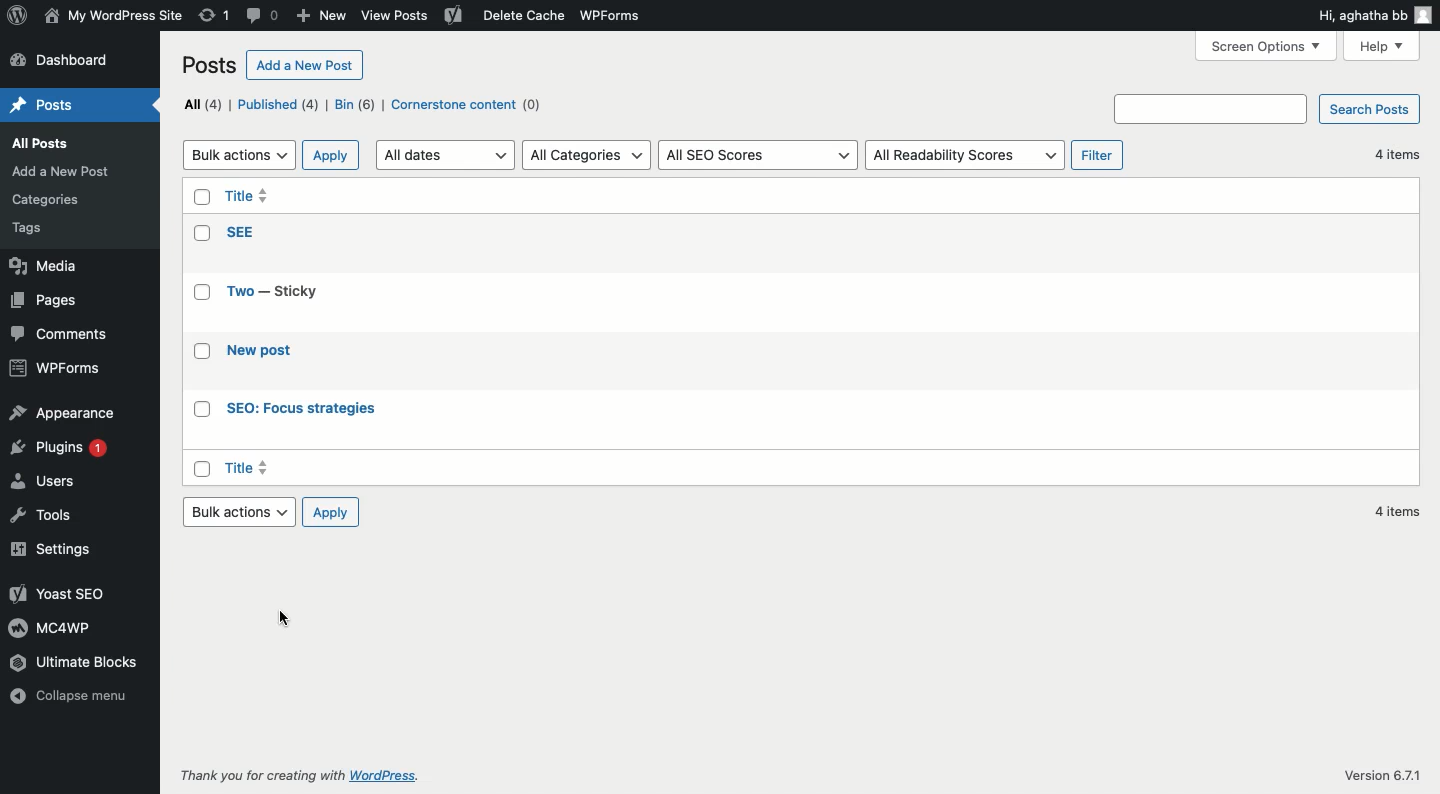 The image size is (1440, 794). I want to click on Post, so click(49, 105).